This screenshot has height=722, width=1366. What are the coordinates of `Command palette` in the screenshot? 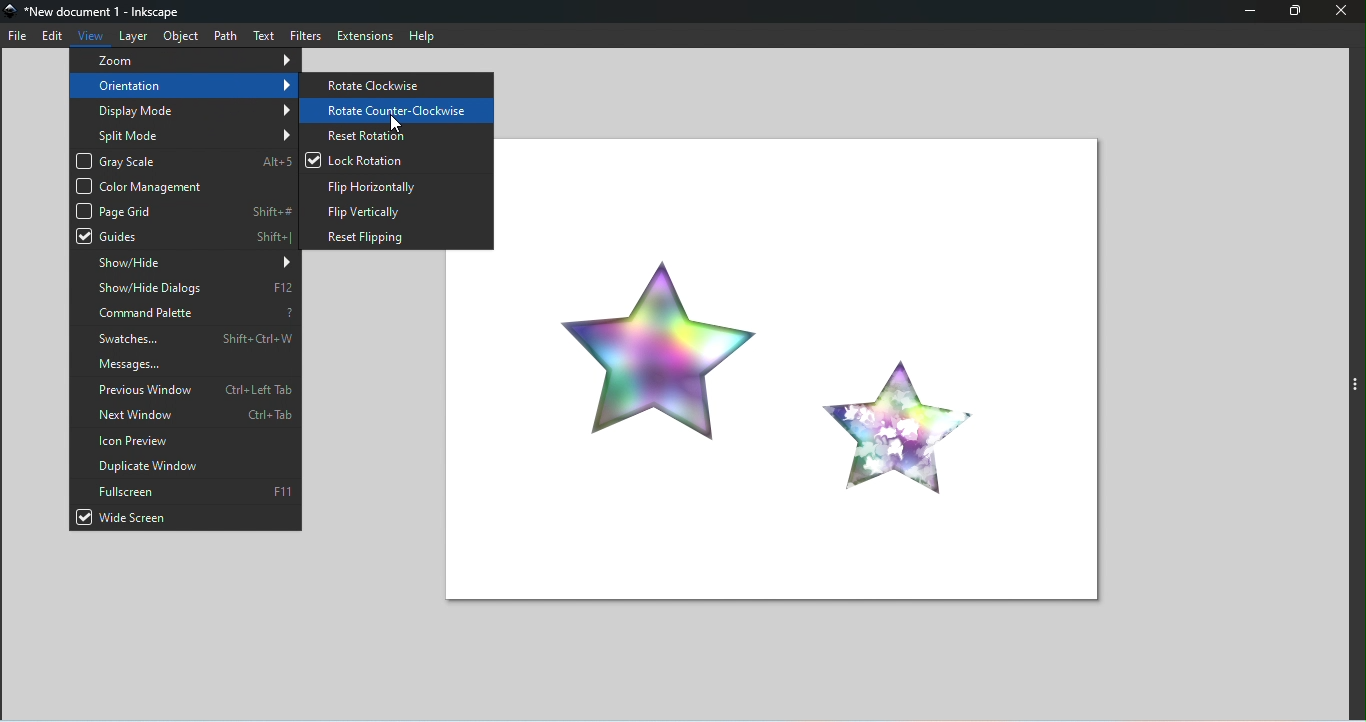 It's located at (186, 312).